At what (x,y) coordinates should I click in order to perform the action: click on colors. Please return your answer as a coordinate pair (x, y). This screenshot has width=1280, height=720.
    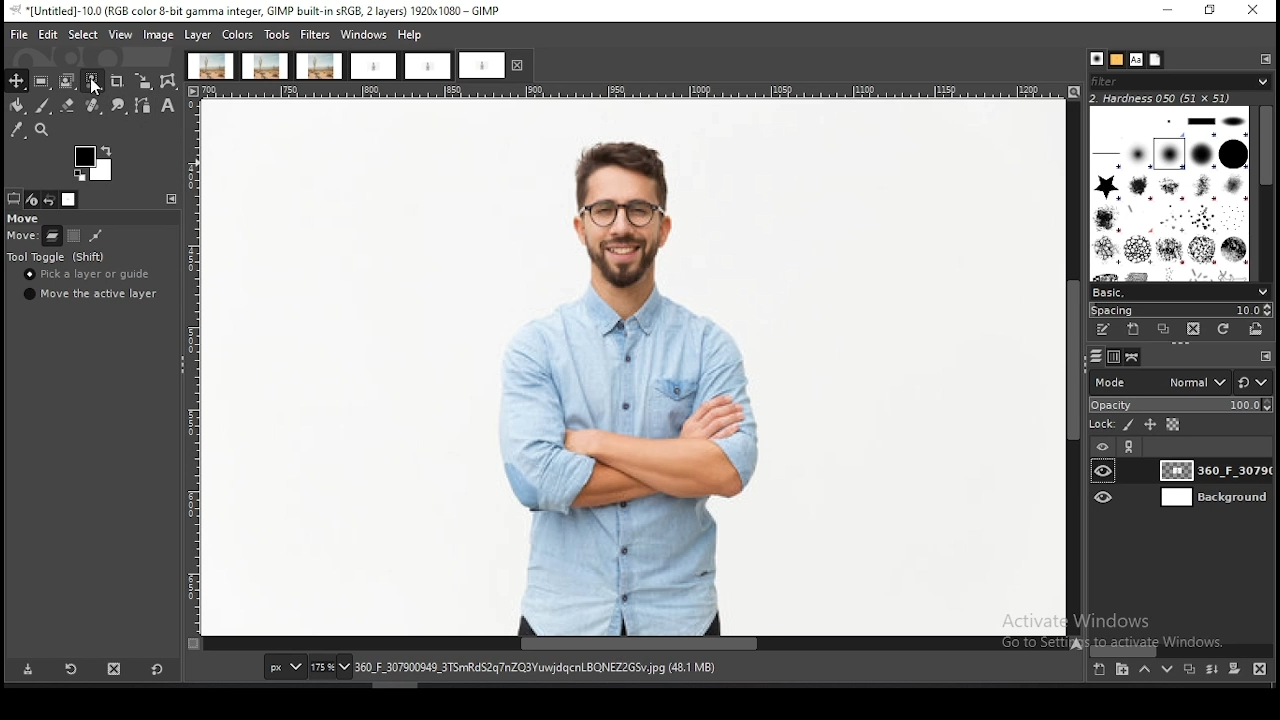
    Looking at the image, I should click on (95, 164).